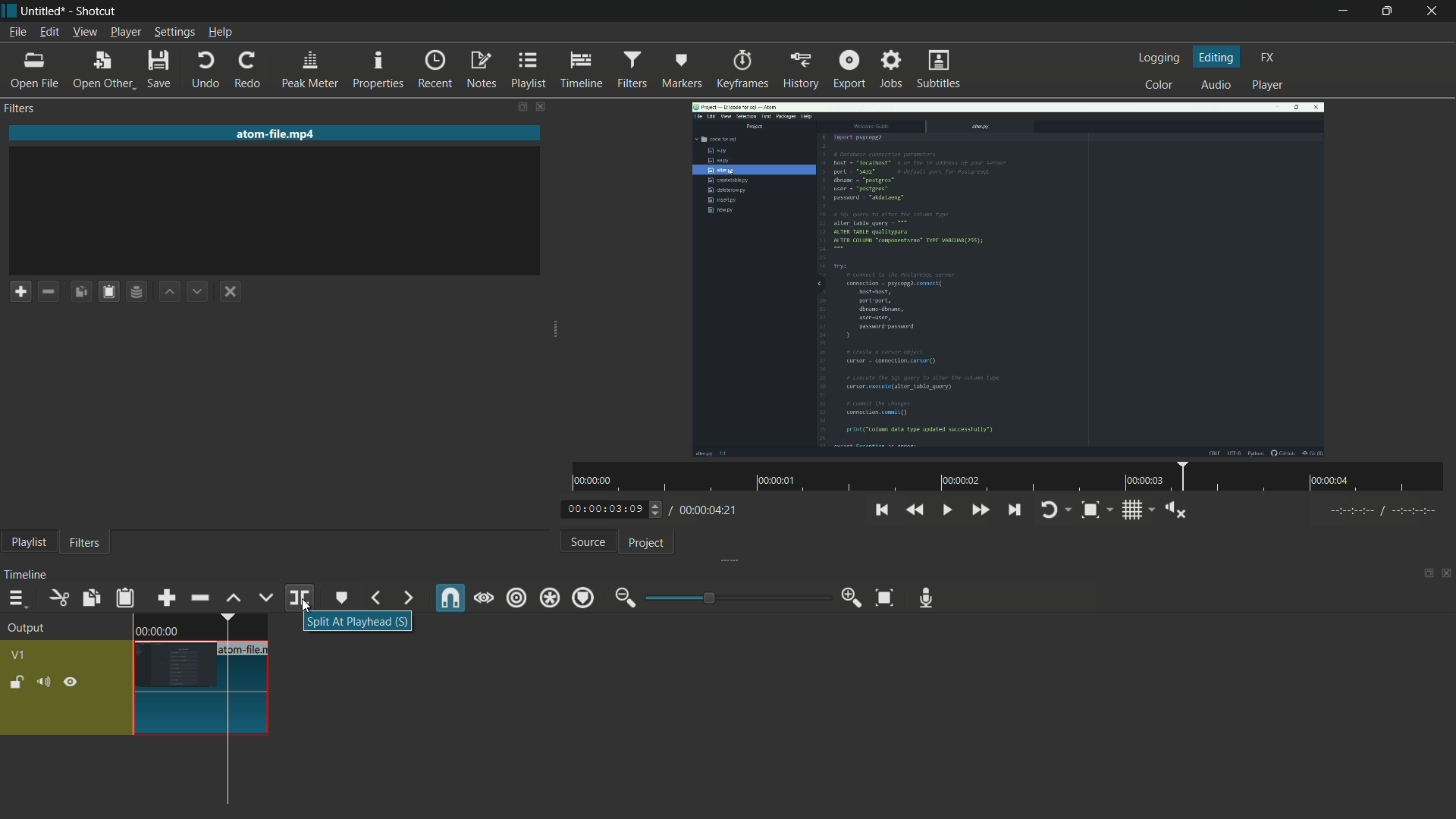 The height and width of the screenshot is (819, 1456). I want to click on filters, so click(85, 544).